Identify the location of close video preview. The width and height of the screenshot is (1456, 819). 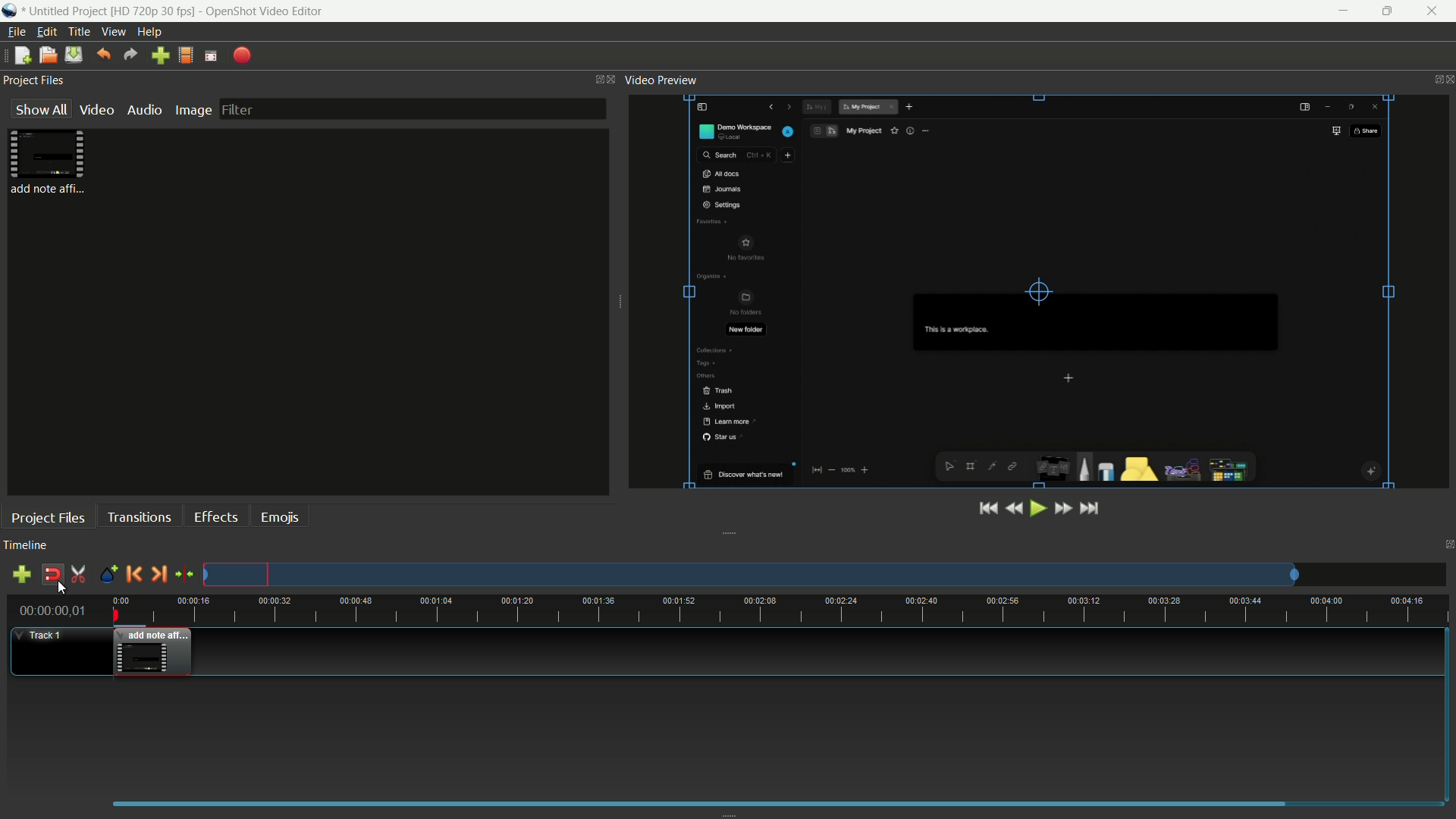
(1447, 80).